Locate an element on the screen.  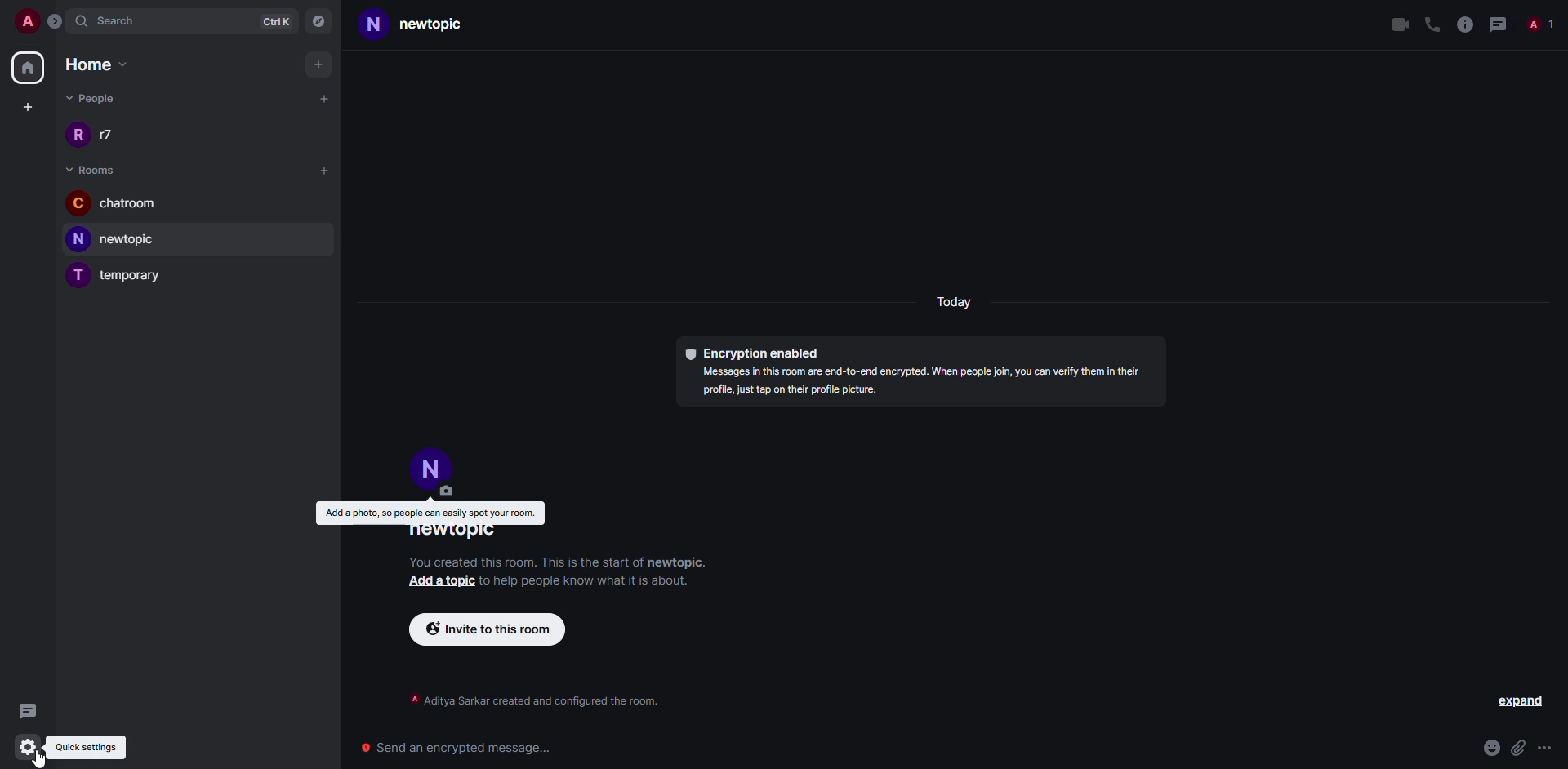
people is located at coordinates (100, 134).